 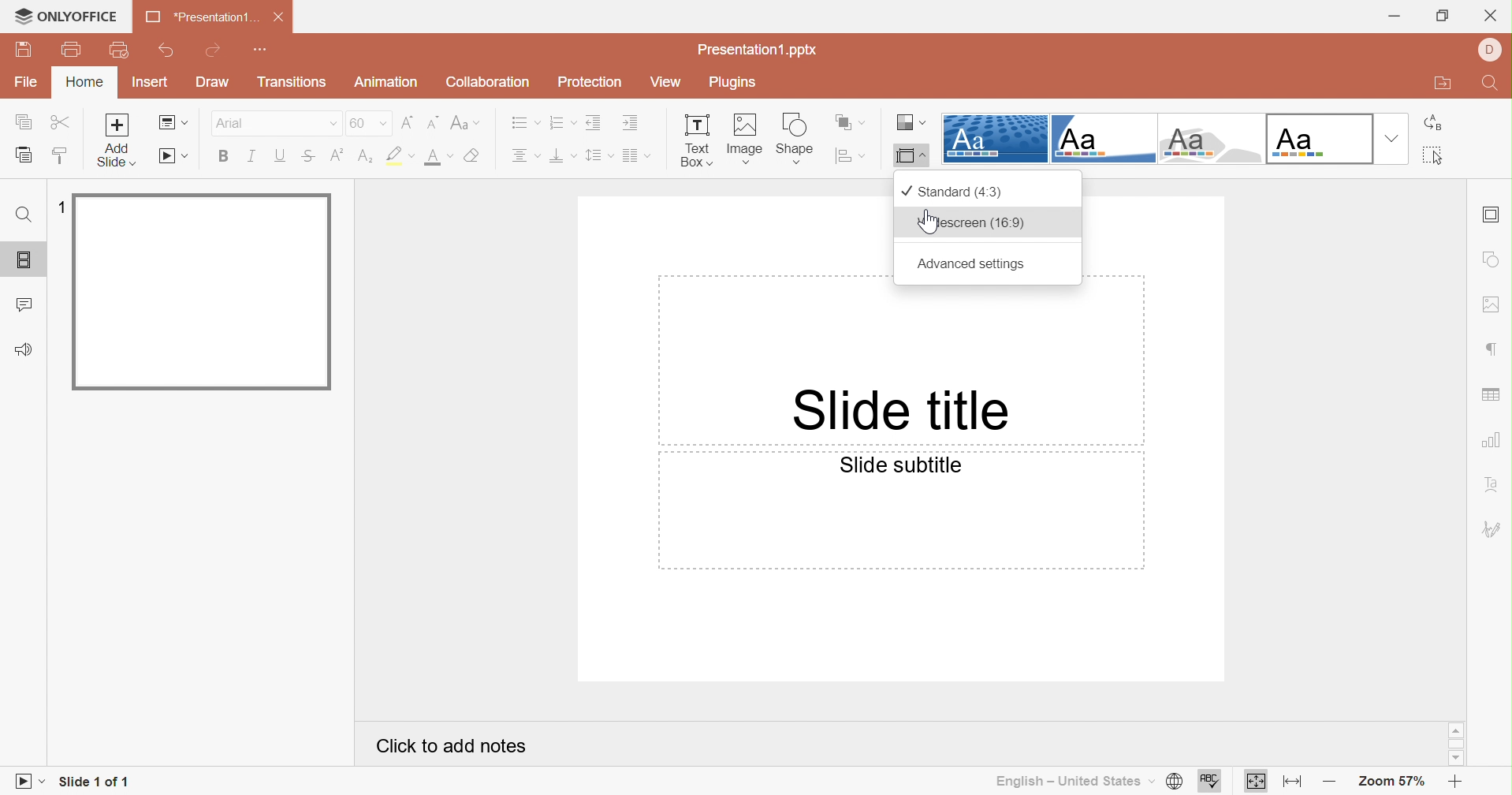 What do you see at coordinates (201, 291) in the screenshot?
I see `Slide` at bounding box center [201, 291].